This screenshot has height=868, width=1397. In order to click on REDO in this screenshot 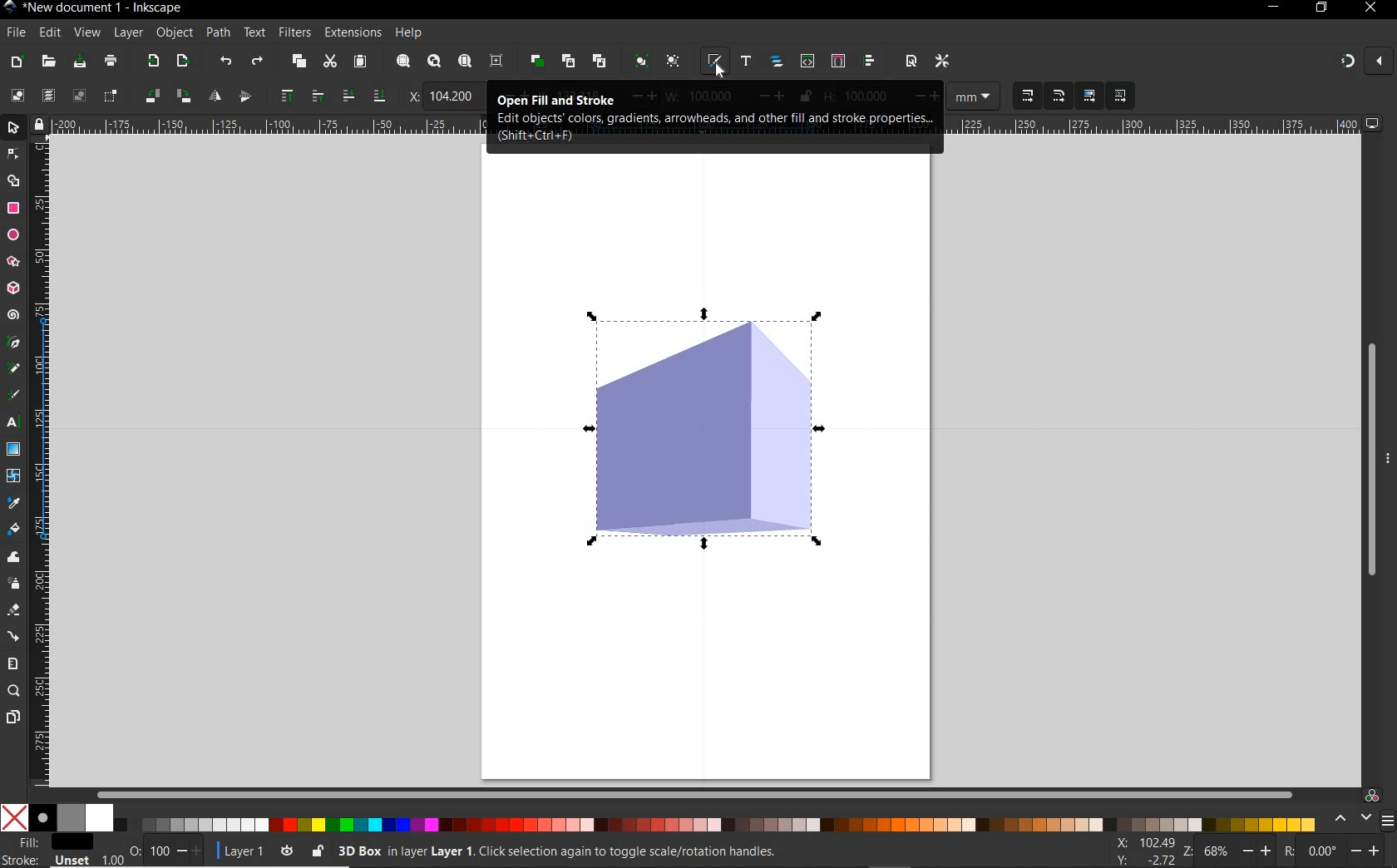, I will do `click(258, 63)`.